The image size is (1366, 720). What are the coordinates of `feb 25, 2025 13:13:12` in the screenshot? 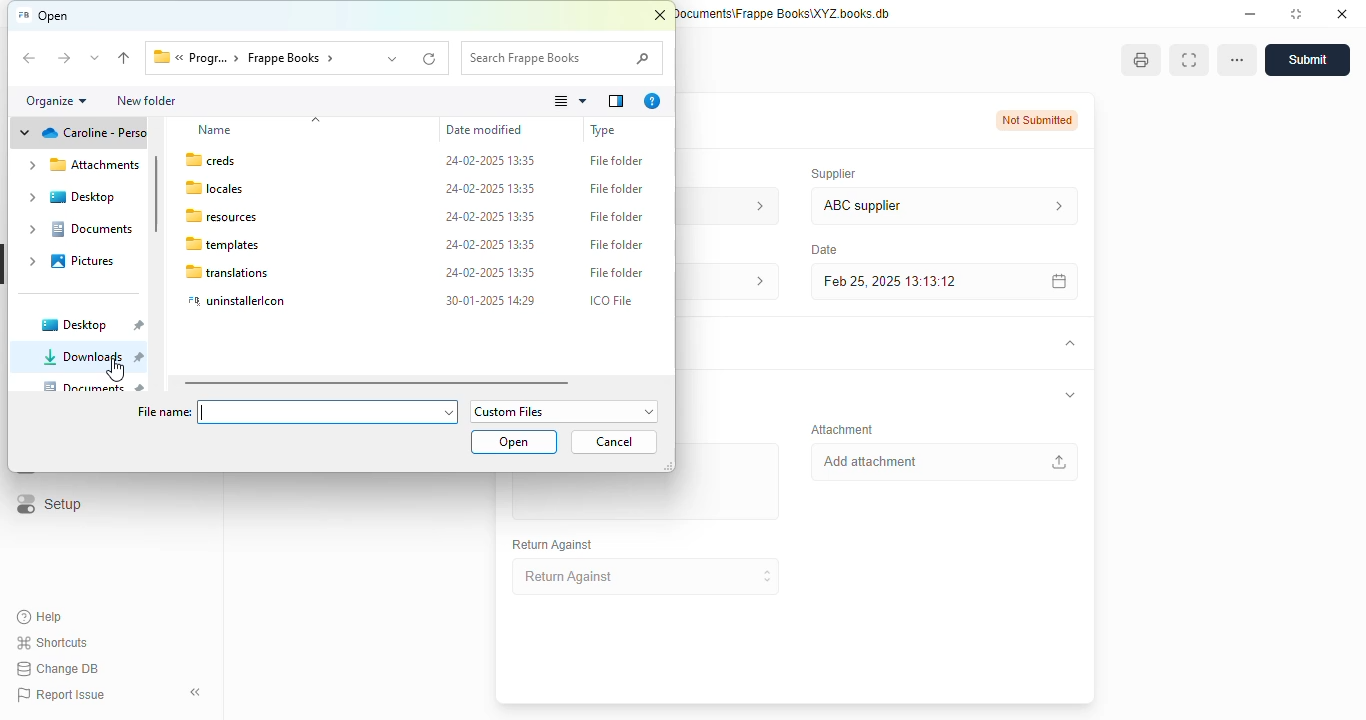 It's located at (905, 281).